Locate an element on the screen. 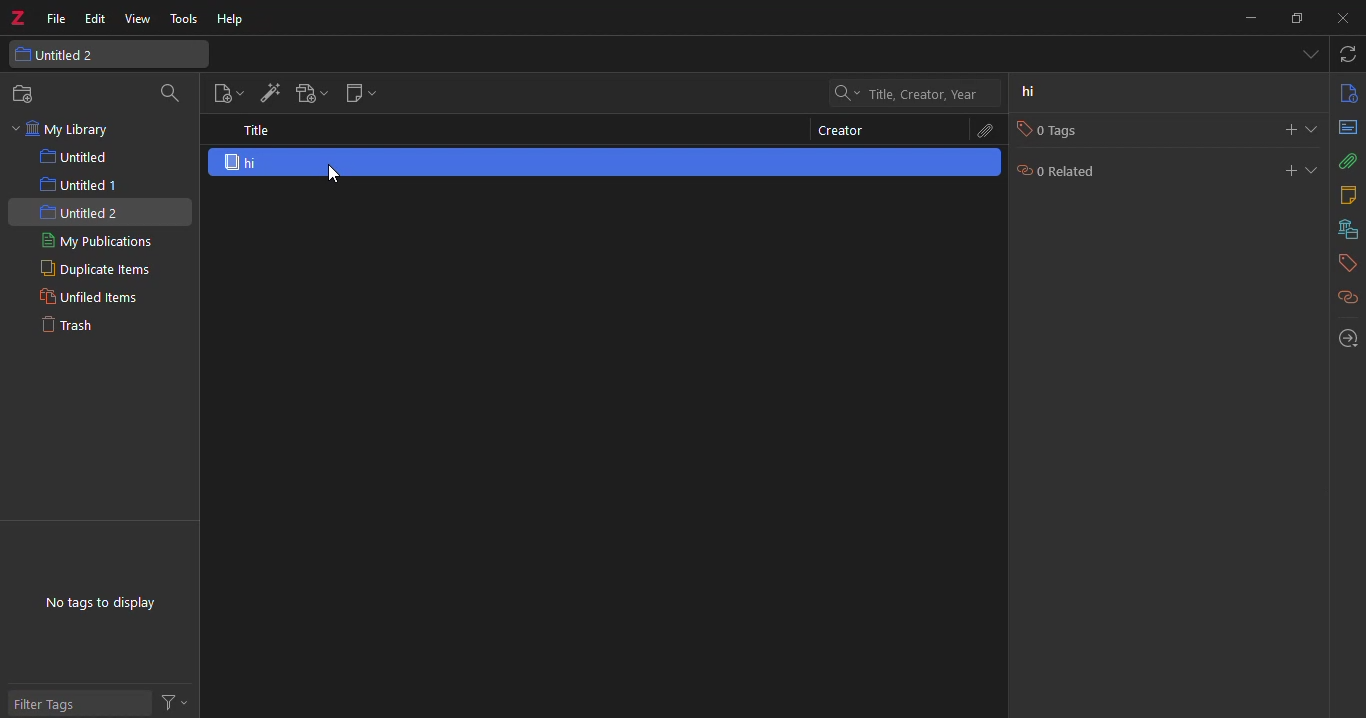 The height and width of the screenshot is (718, 1366). 0 related is located at coordinates (1058, 169).